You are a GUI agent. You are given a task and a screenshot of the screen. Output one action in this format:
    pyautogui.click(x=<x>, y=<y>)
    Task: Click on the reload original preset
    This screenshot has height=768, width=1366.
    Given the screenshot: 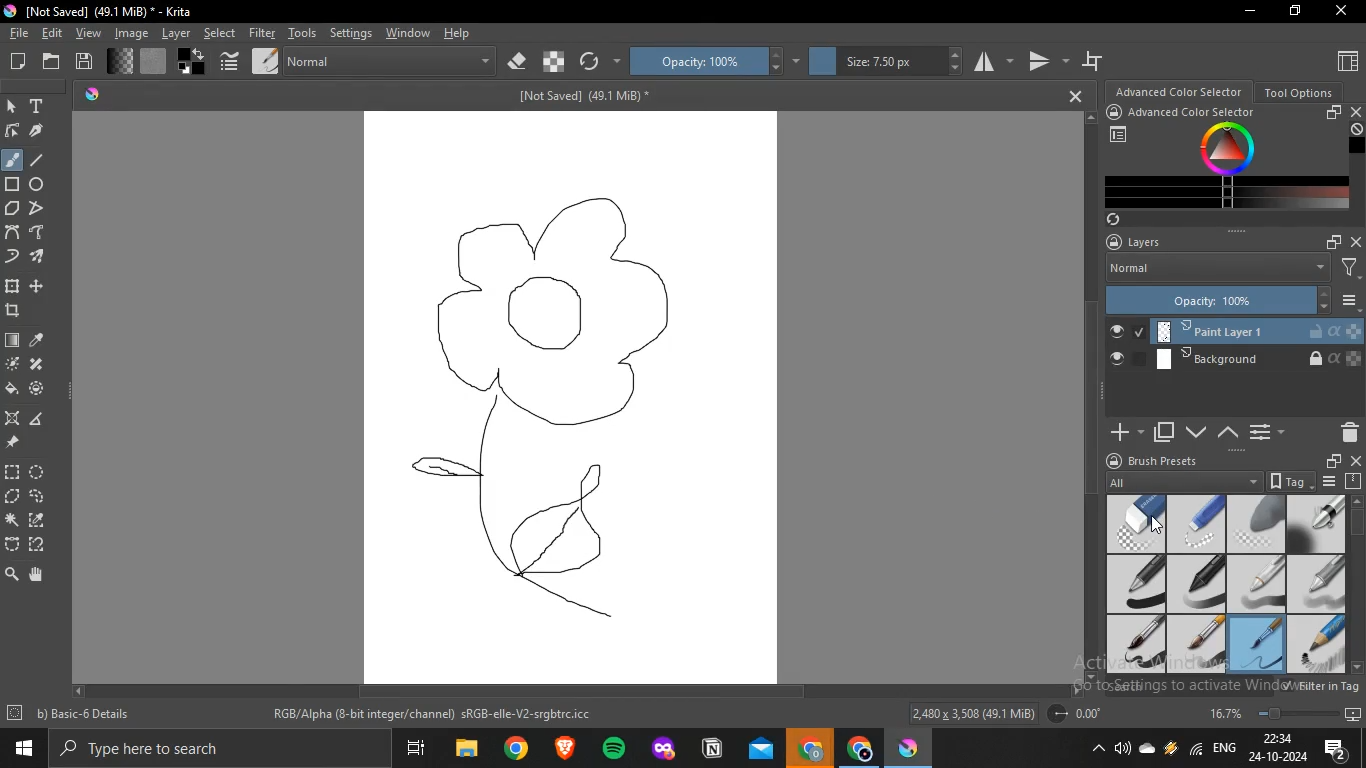 What is the action you would take?
    pyautogui.click(x=599, y=62)
    